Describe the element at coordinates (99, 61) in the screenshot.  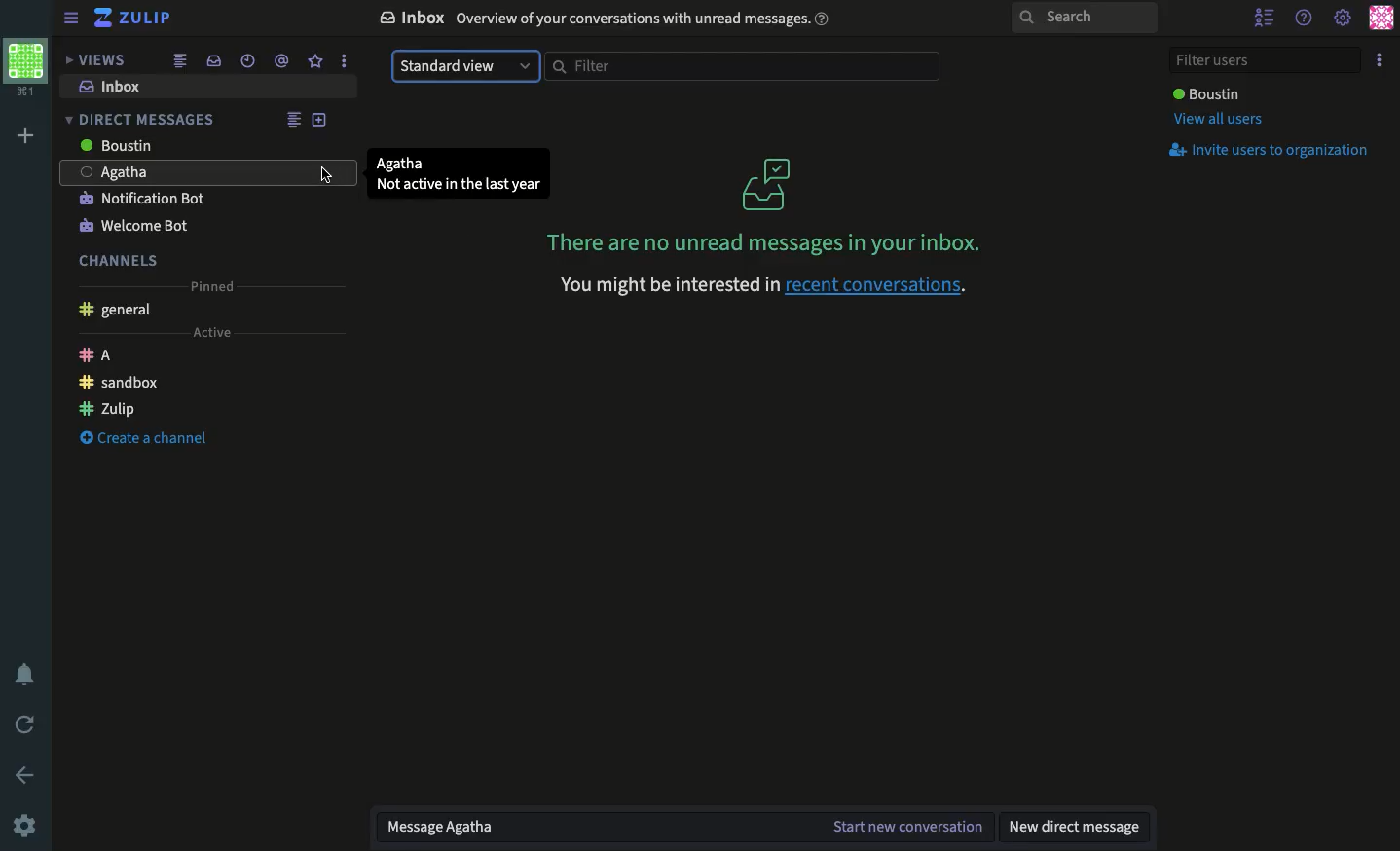
I see `Views` at that location.